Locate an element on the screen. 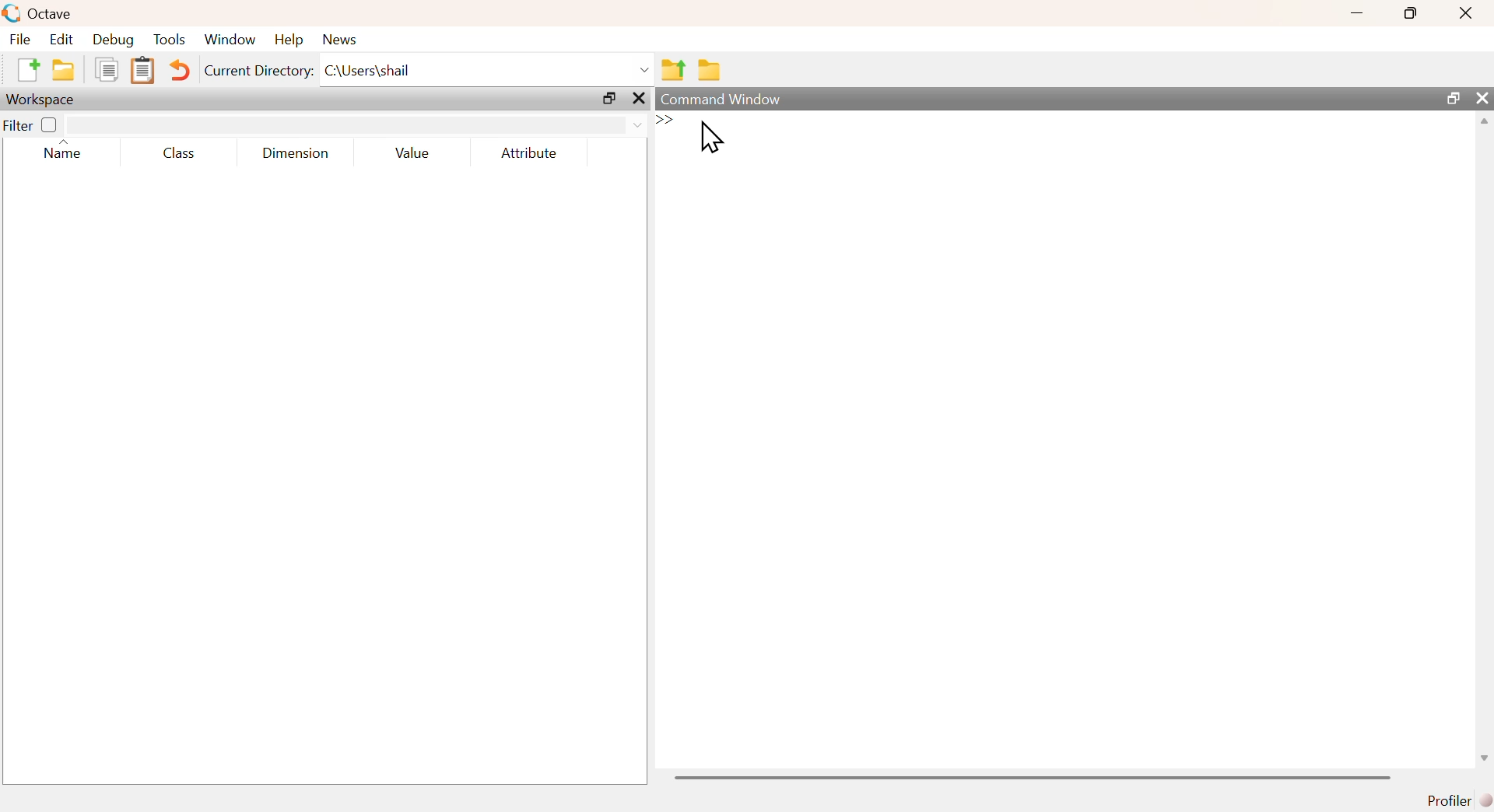  maximize is located at coordinates (1450, 97).